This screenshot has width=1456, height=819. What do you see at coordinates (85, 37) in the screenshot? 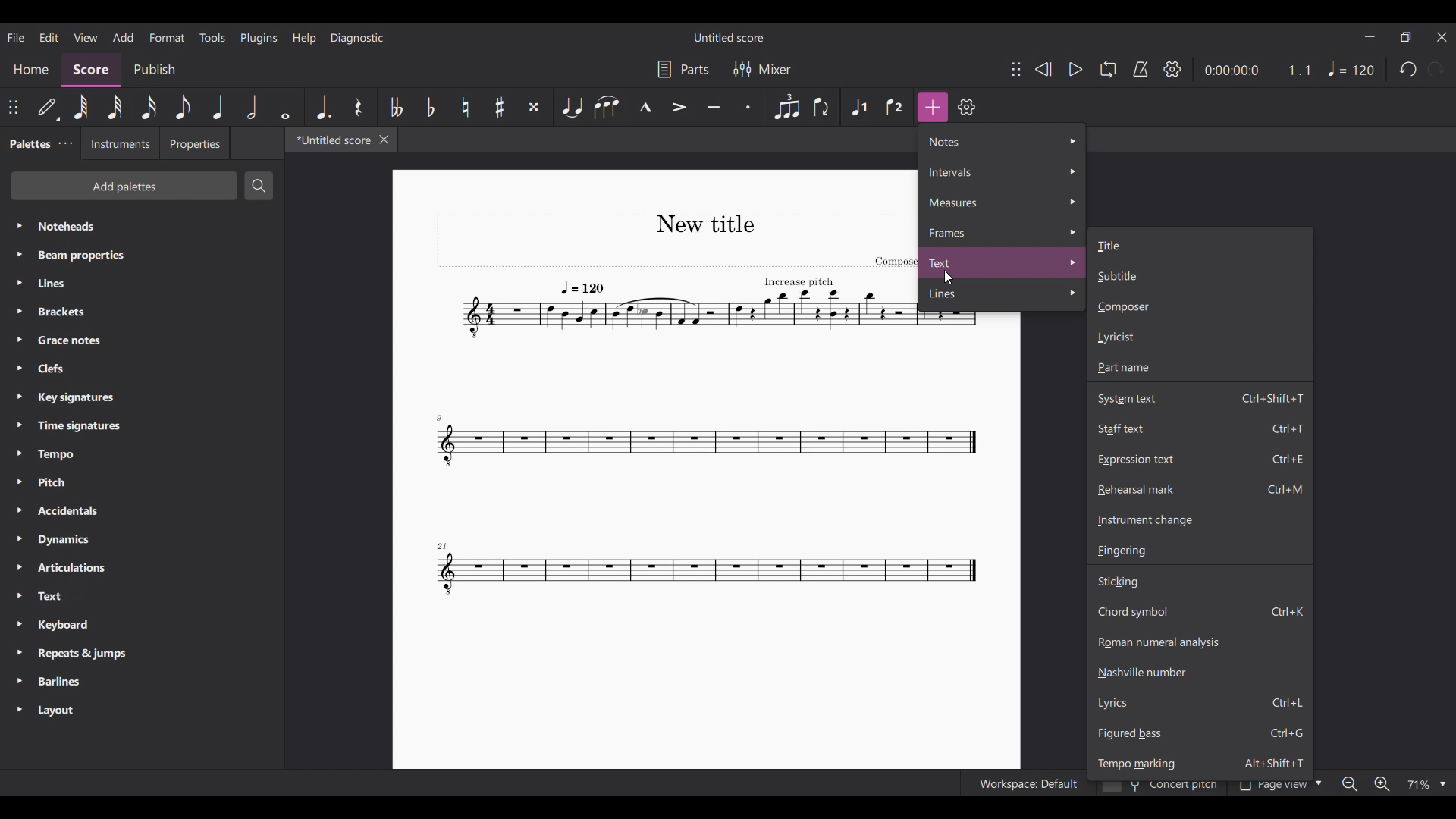
I see `View menu` at bounding box center [85, 37].